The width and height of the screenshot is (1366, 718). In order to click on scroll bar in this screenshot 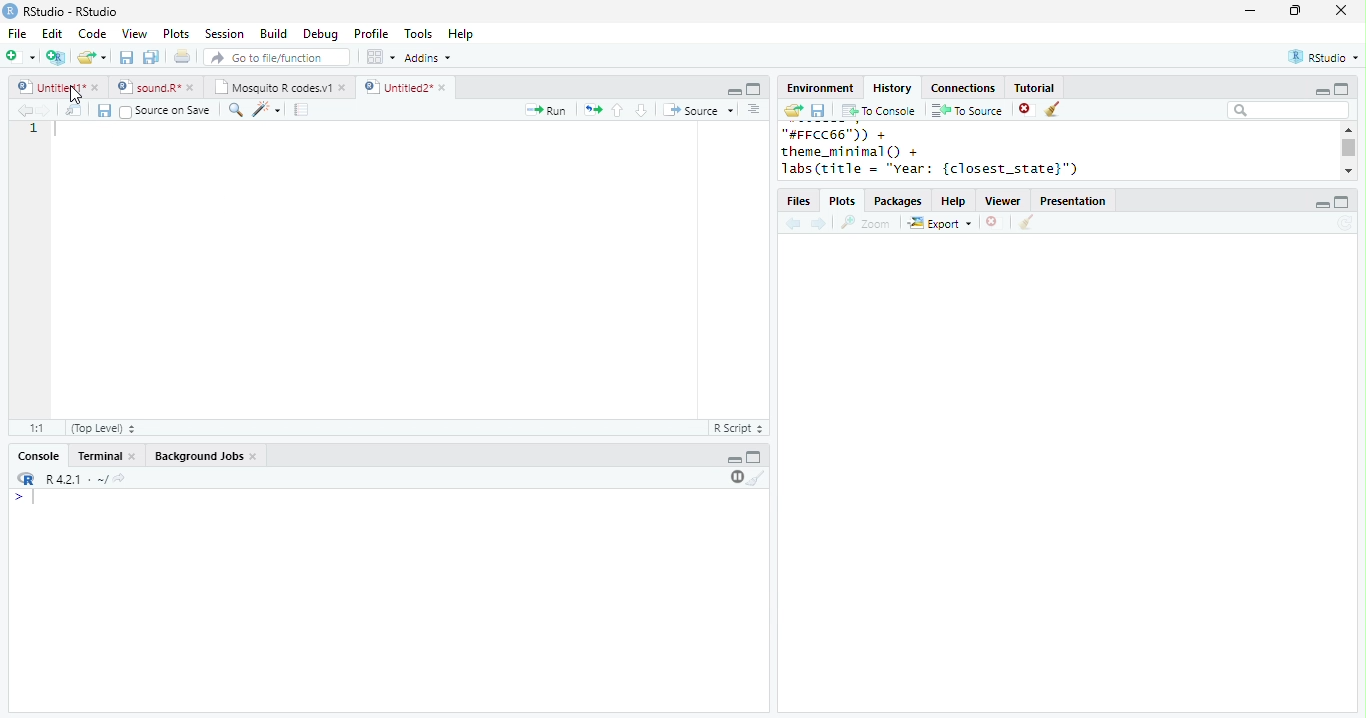, I will do `click(1350, 148)`.